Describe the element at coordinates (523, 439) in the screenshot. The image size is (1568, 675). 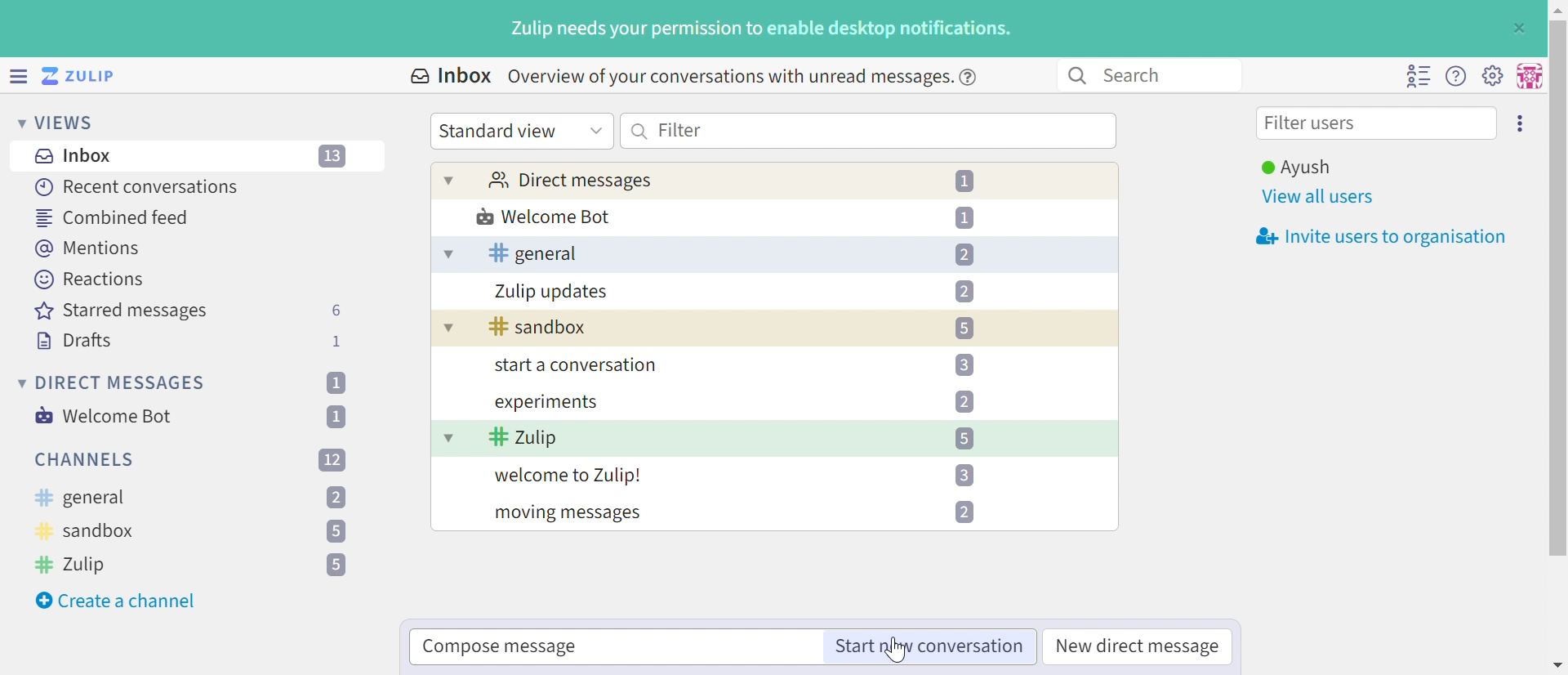
I see `Zulip` at that location.